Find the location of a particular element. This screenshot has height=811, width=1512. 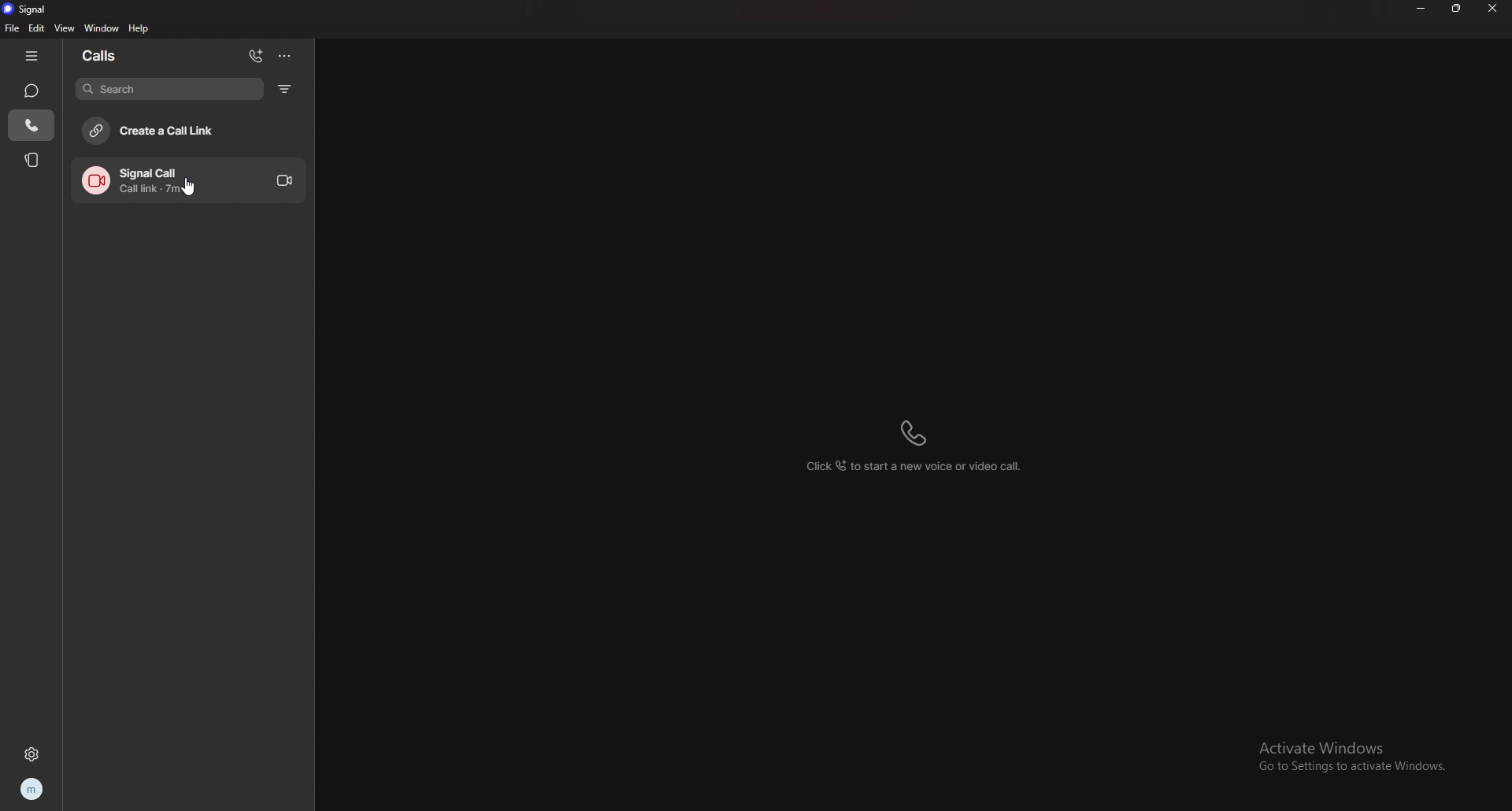

add call is located at coordinates (255, 55).